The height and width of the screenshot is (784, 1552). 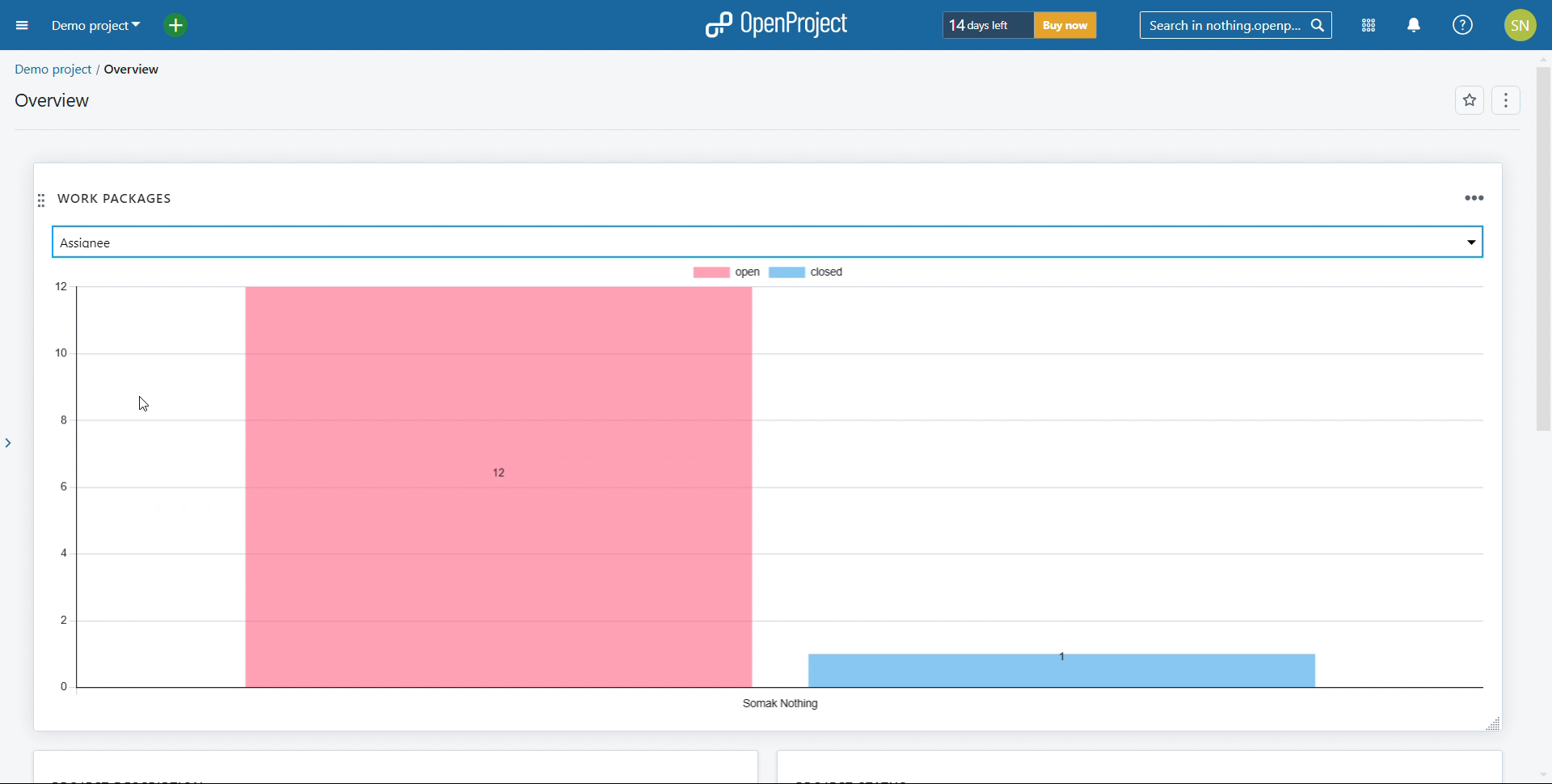 I want to click on open sidebar menu, so click(x=22, y=26).